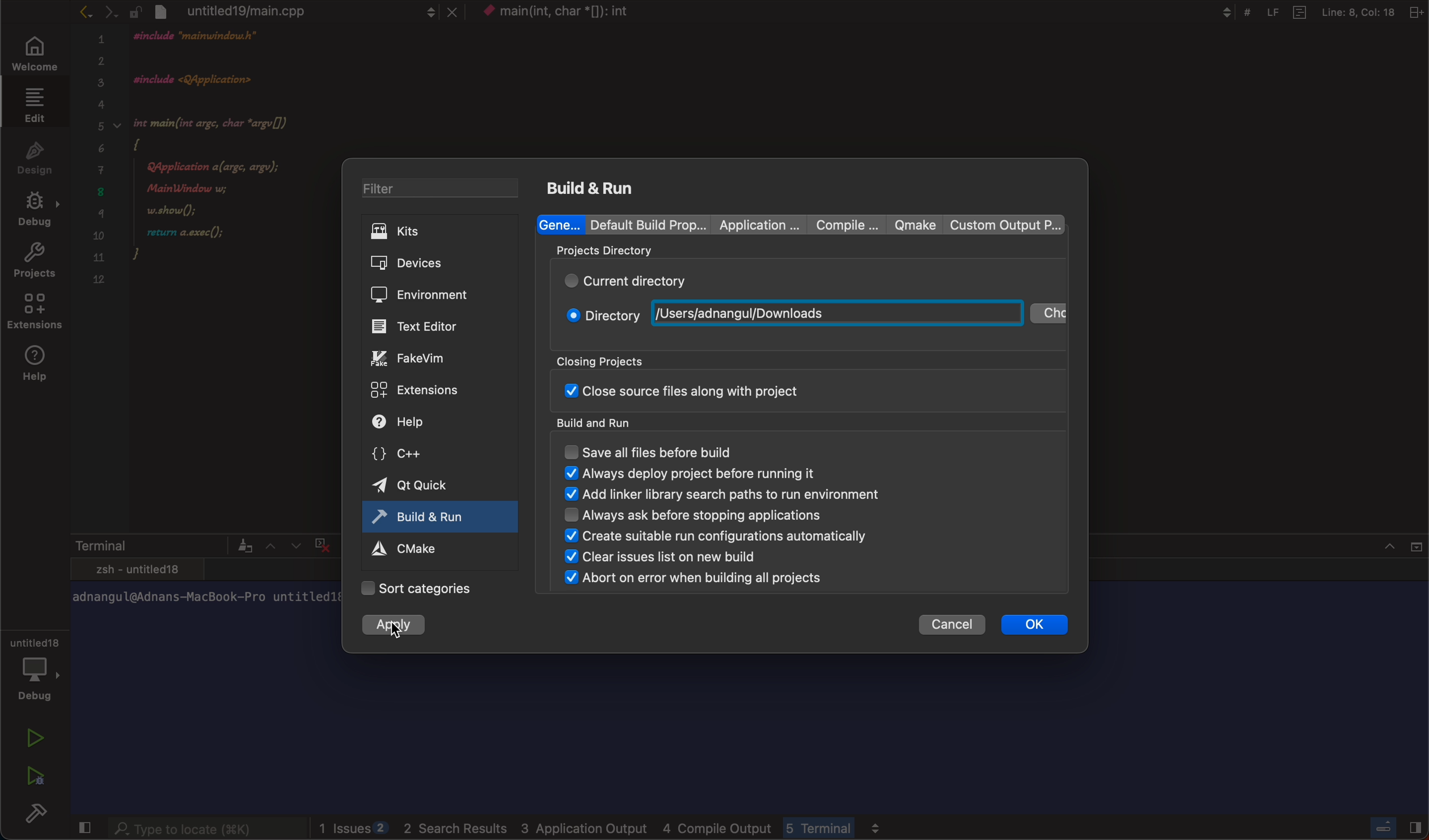 Image resolution: width=1429 pixels, height=840 pixels. Describe the element at coordinates (410, 548) in the screenshot. I see `cmake` at that location.